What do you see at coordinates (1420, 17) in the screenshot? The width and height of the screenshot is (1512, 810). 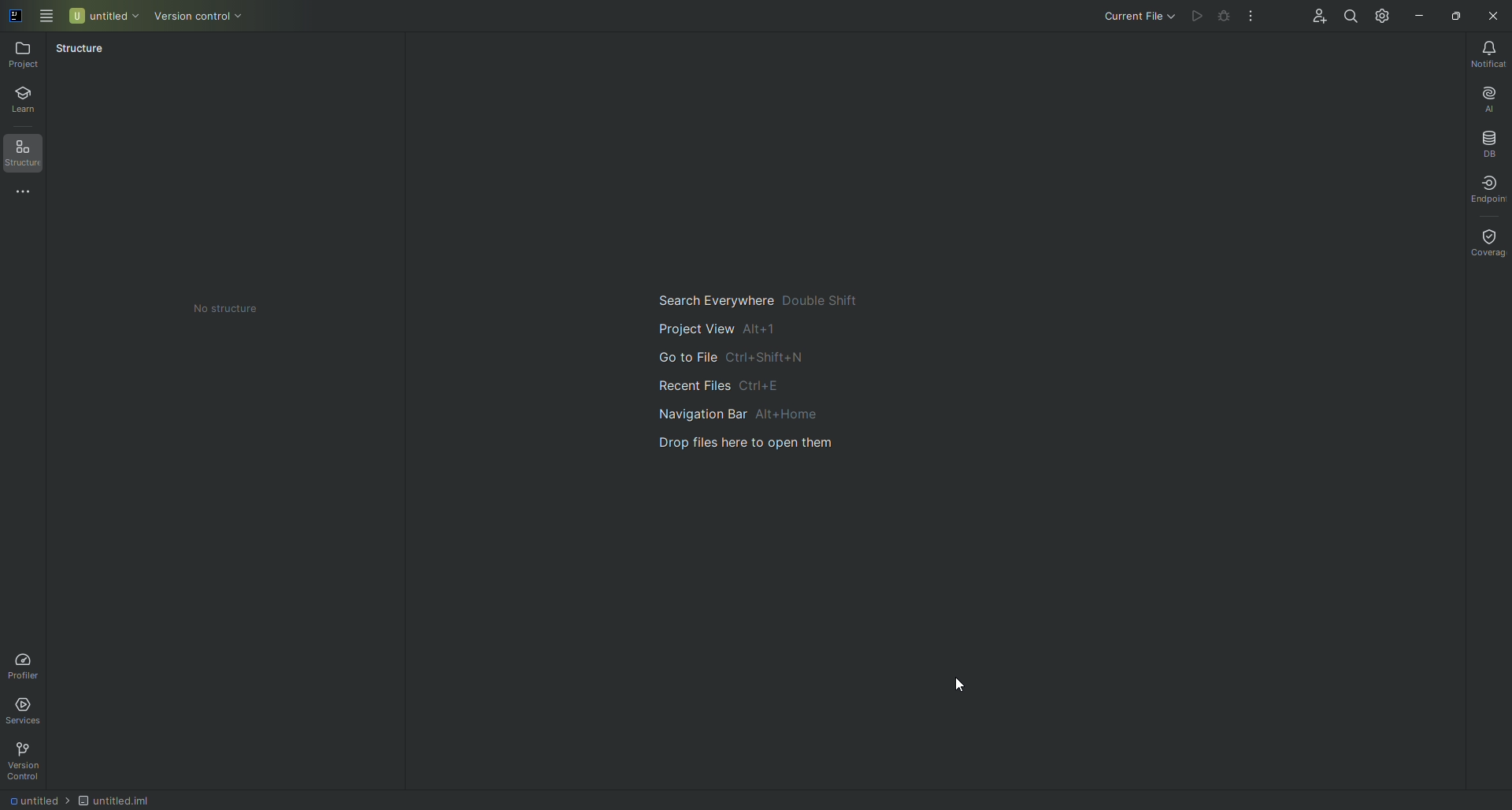 I see `Minimize` at bounding box center [1420, 17].